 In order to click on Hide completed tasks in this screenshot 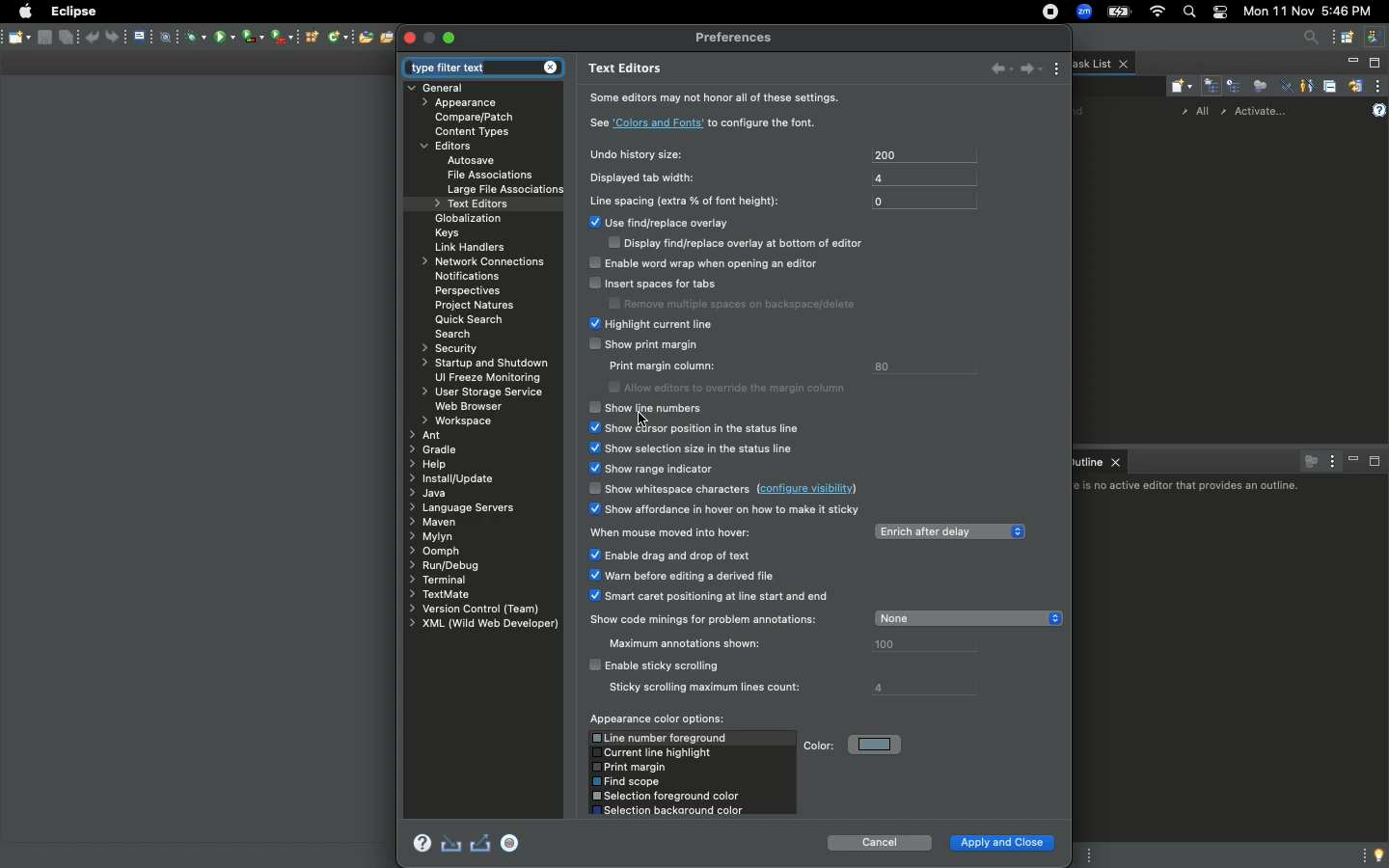, I will do `click(1283, 87)`.